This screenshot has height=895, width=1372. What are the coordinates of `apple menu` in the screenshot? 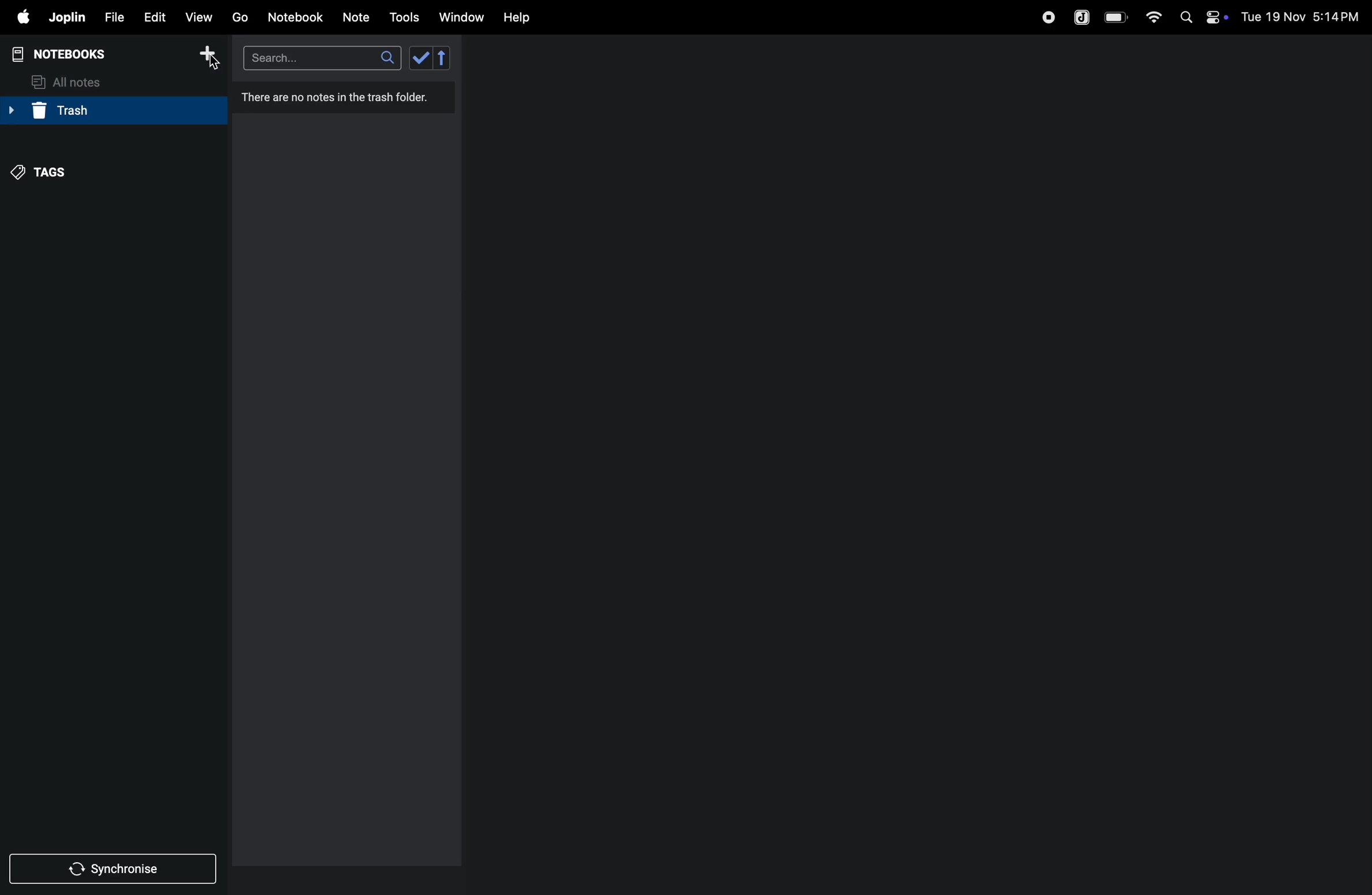 It's located at (17, 17).